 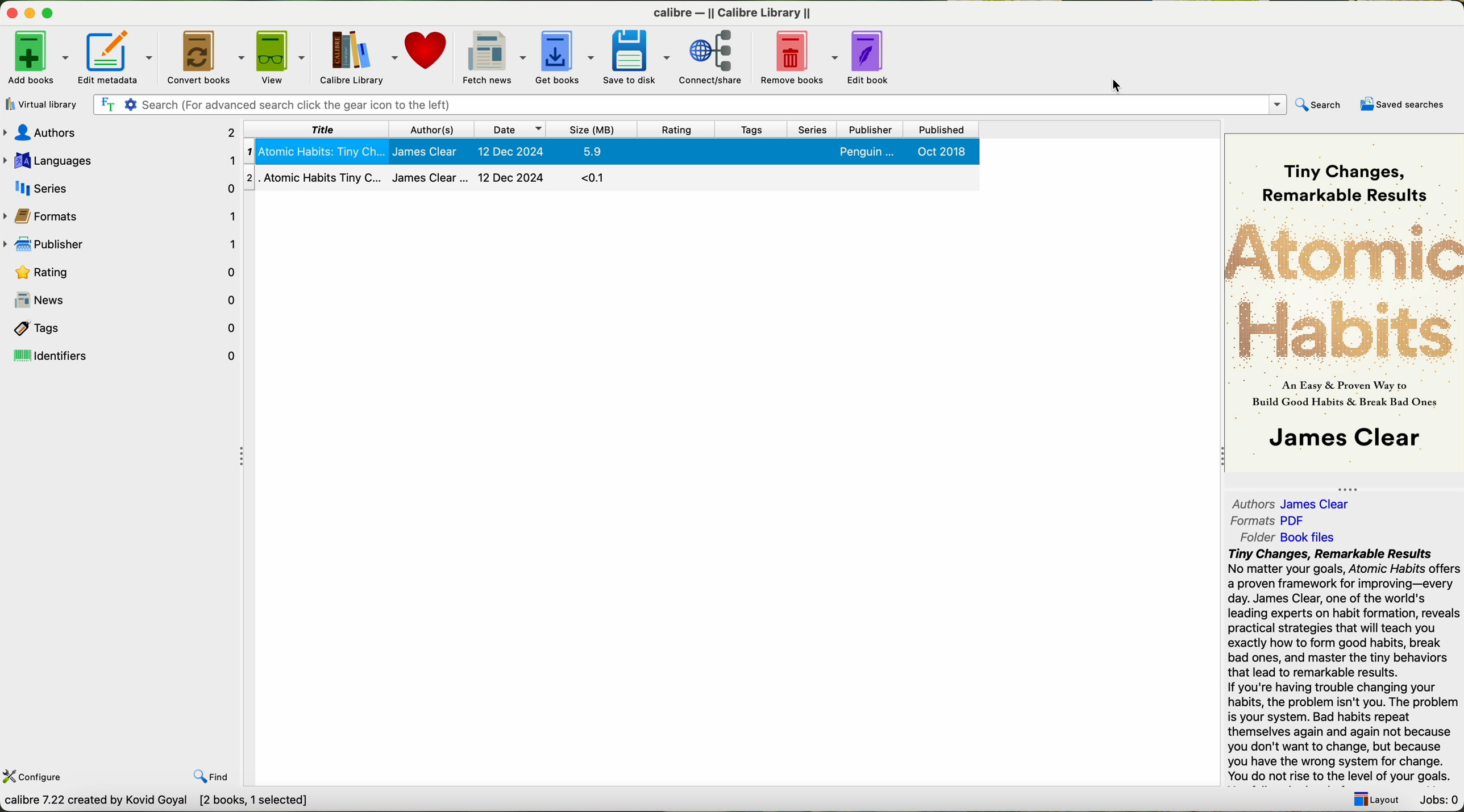 I want to click on get books, so click(x=563, y=60).